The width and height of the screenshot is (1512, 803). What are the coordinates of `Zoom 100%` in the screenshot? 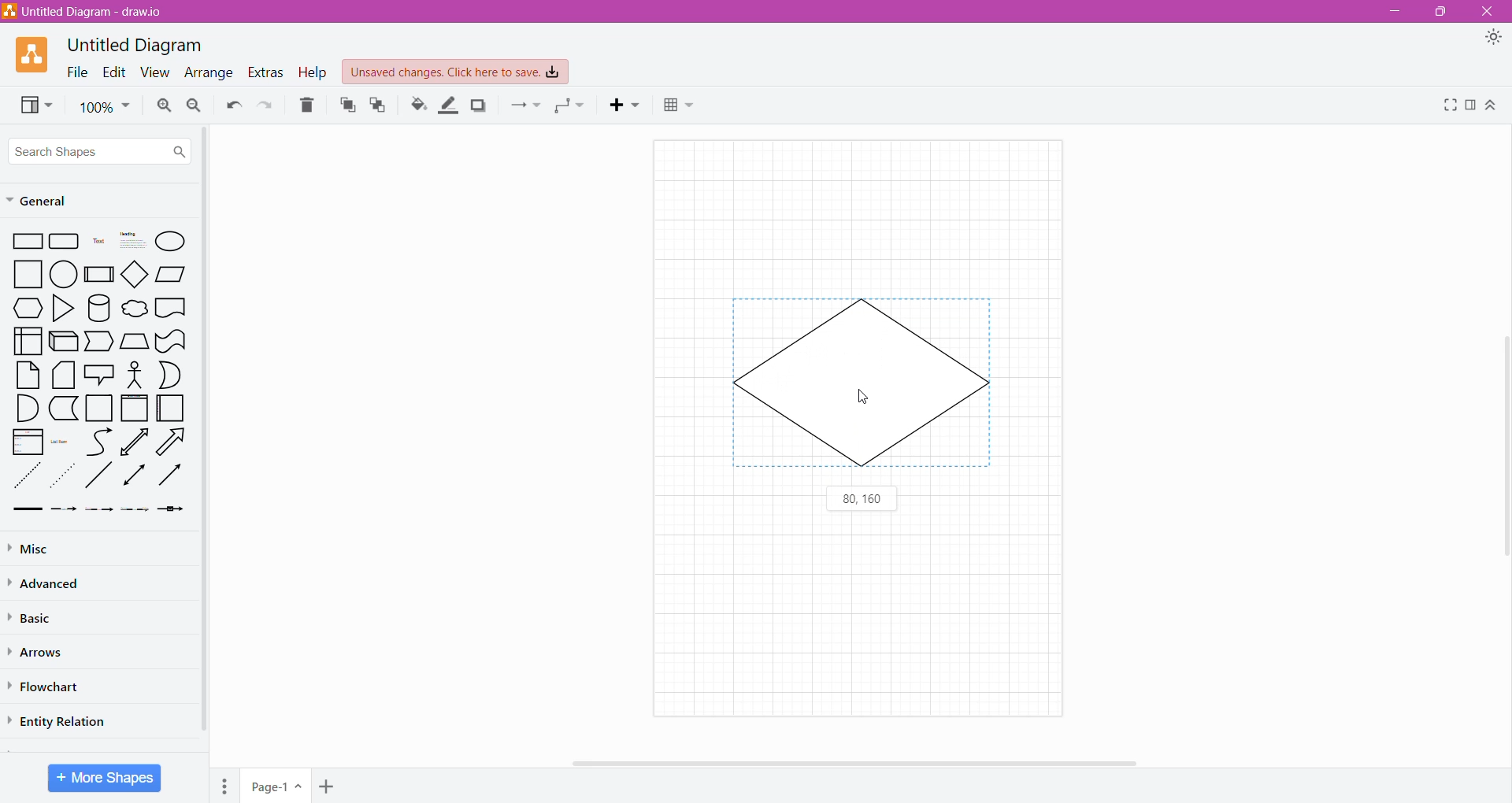 It's located at (105, 107).